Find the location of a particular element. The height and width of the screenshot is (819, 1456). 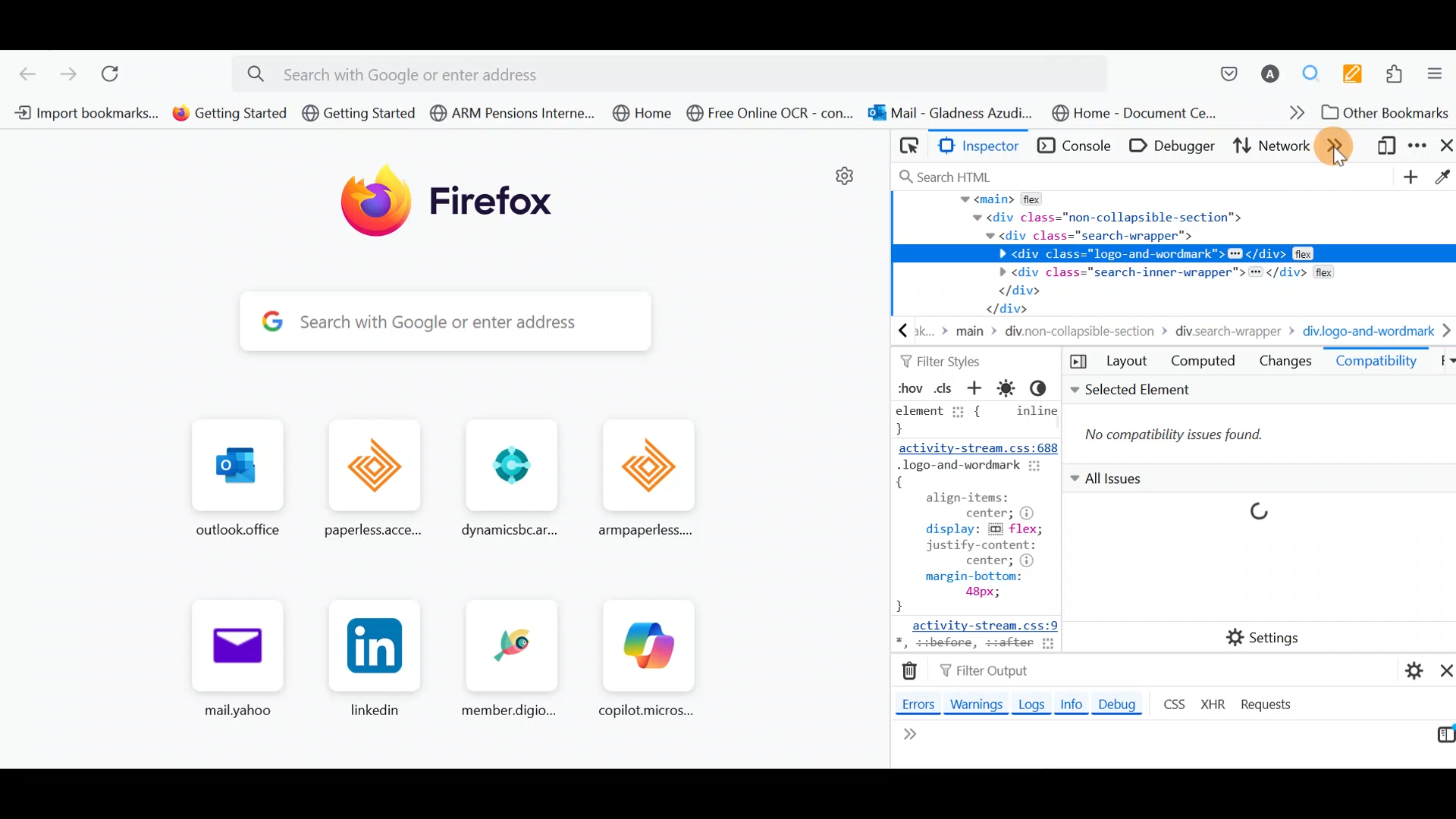

Console is located at coordinates (1076, 146).